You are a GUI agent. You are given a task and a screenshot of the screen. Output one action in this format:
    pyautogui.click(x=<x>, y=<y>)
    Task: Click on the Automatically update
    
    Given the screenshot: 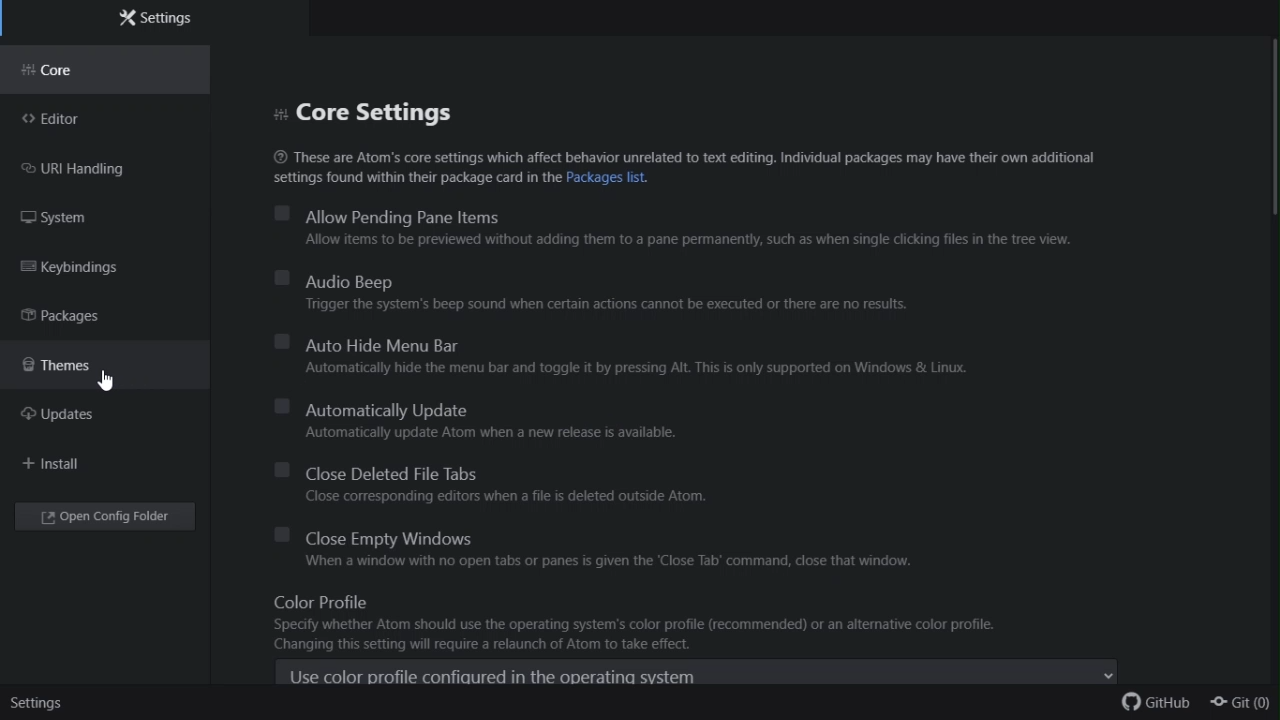 What is the action you would take?
    pyautogui.click(x=487, y=406)
    